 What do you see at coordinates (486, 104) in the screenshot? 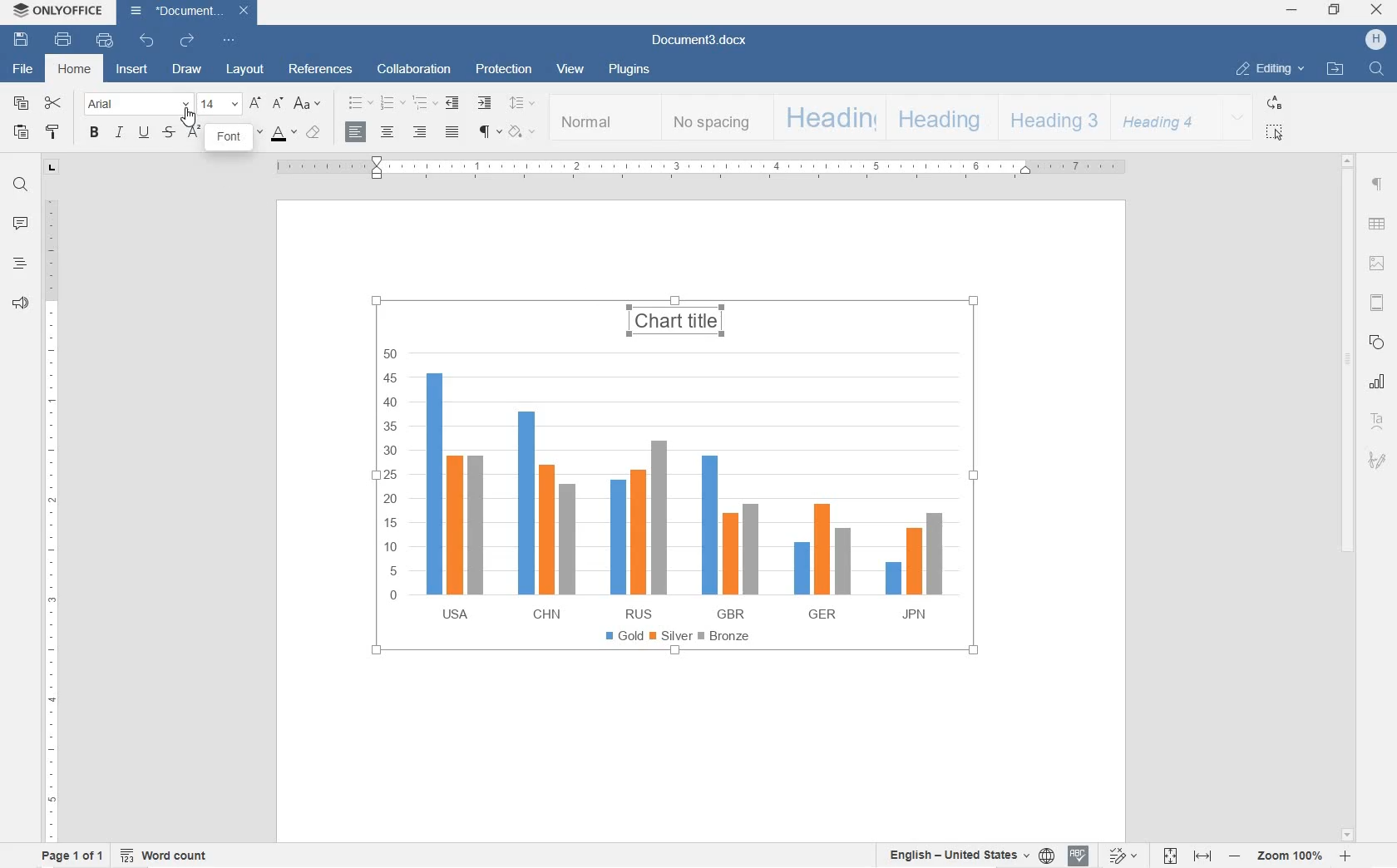
I see `INCREASE INDENT` at bounding box center [486, 104].